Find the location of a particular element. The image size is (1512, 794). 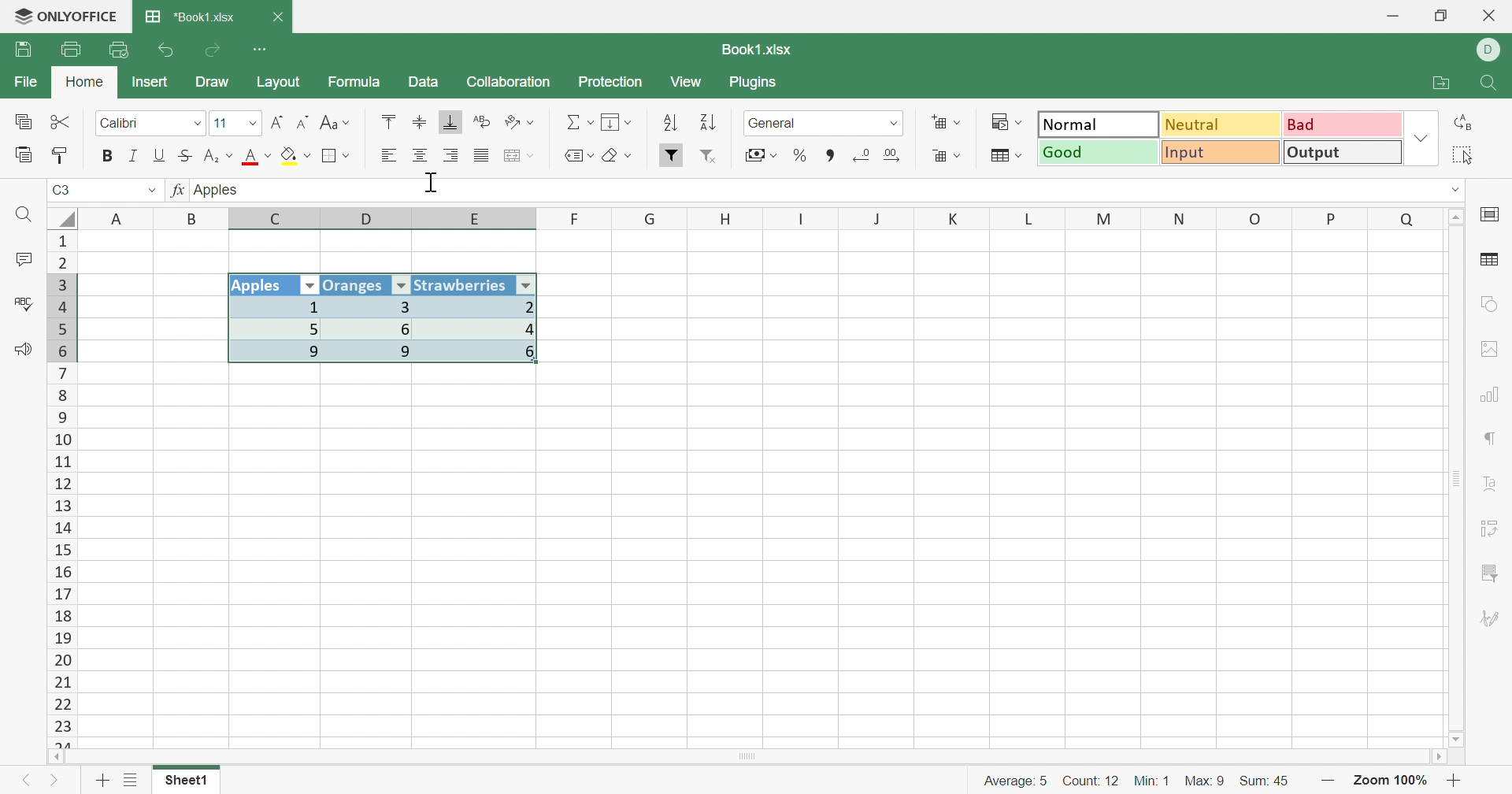

Insert is located at coordinates (150, 81).